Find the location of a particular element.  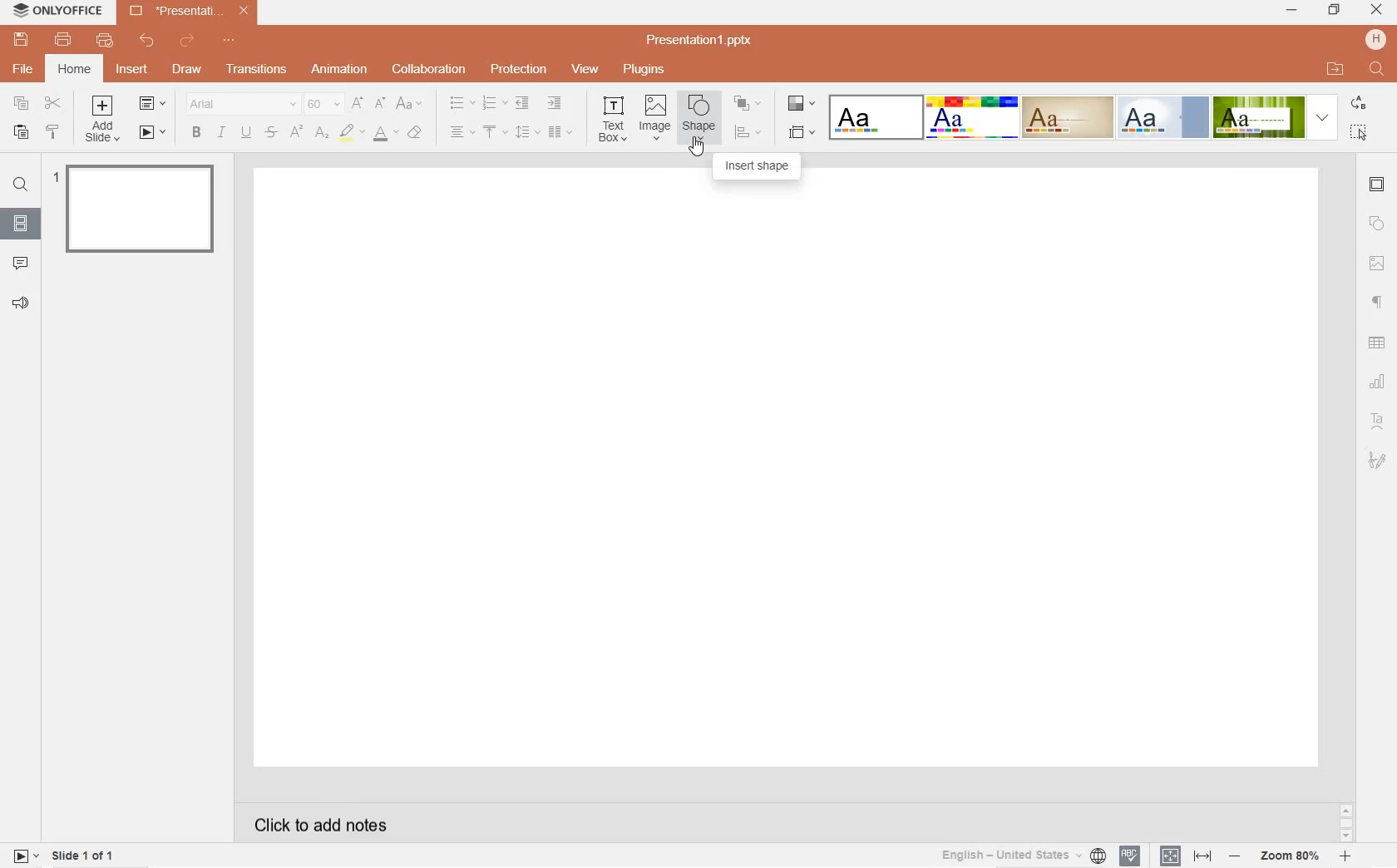

signature is located at coordinates (1378, 460).